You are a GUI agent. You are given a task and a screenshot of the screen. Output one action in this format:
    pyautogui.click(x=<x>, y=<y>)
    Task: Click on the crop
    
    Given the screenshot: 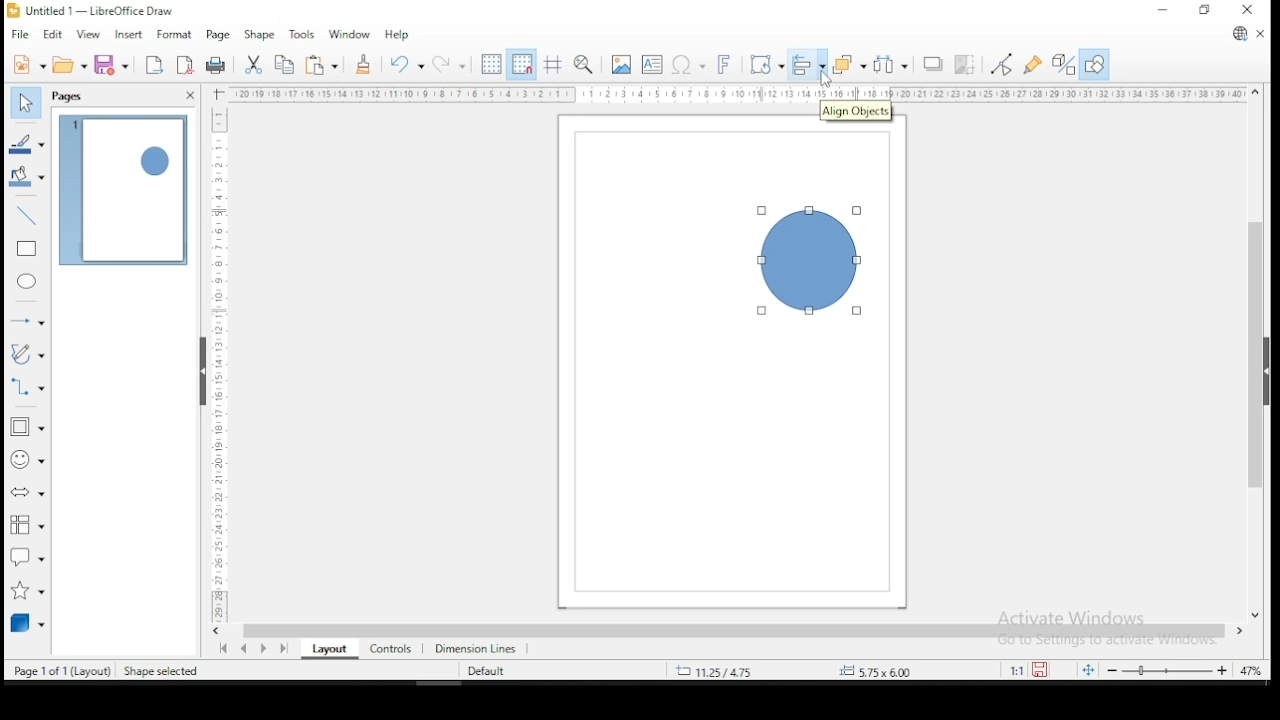 What is the action you would take?
    pyautogui.click(x=964, y=66)
    